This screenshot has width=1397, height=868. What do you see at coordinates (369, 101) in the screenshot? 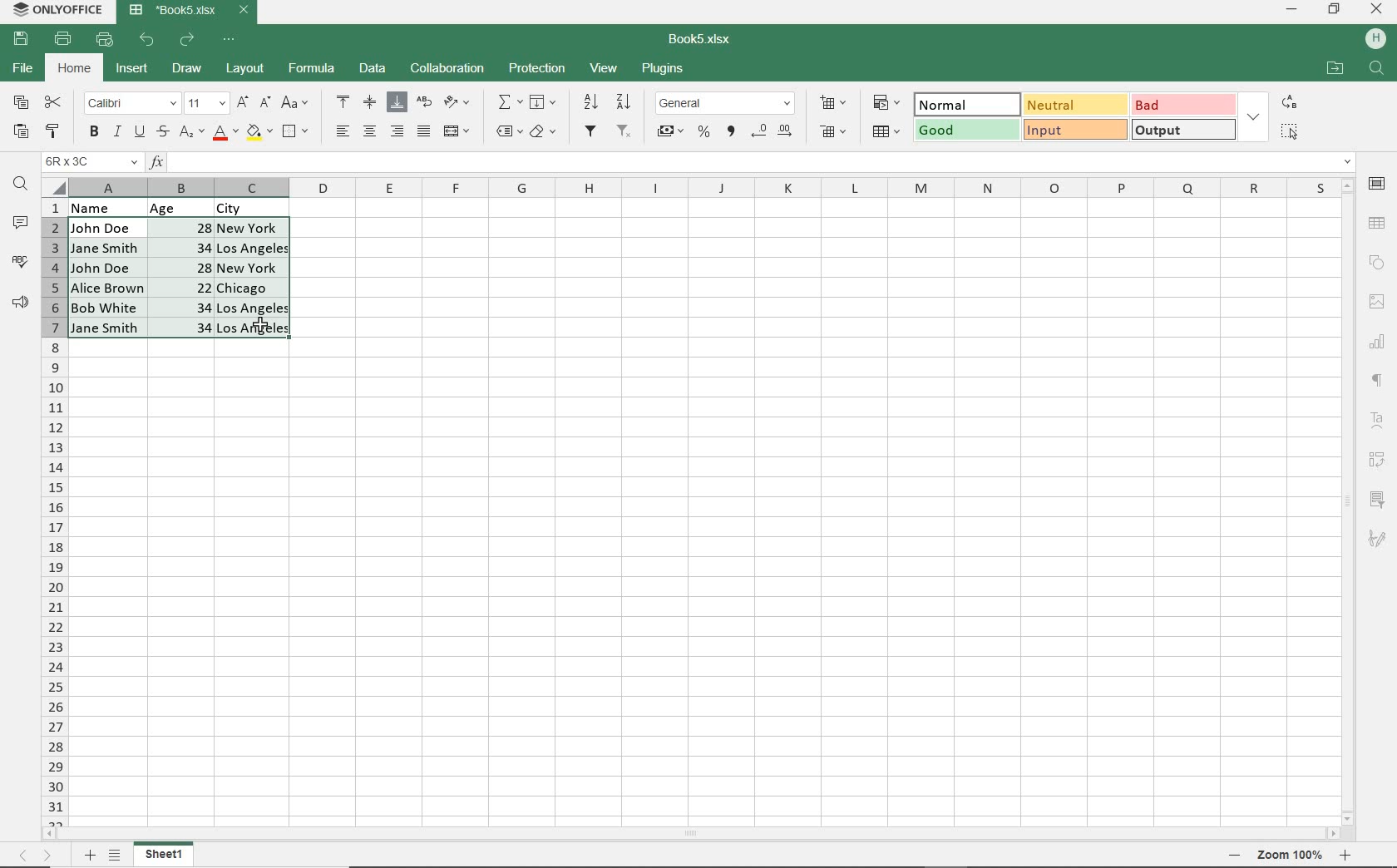
I see `ALIGN MIDDLE` at bounding box center [369, 101].